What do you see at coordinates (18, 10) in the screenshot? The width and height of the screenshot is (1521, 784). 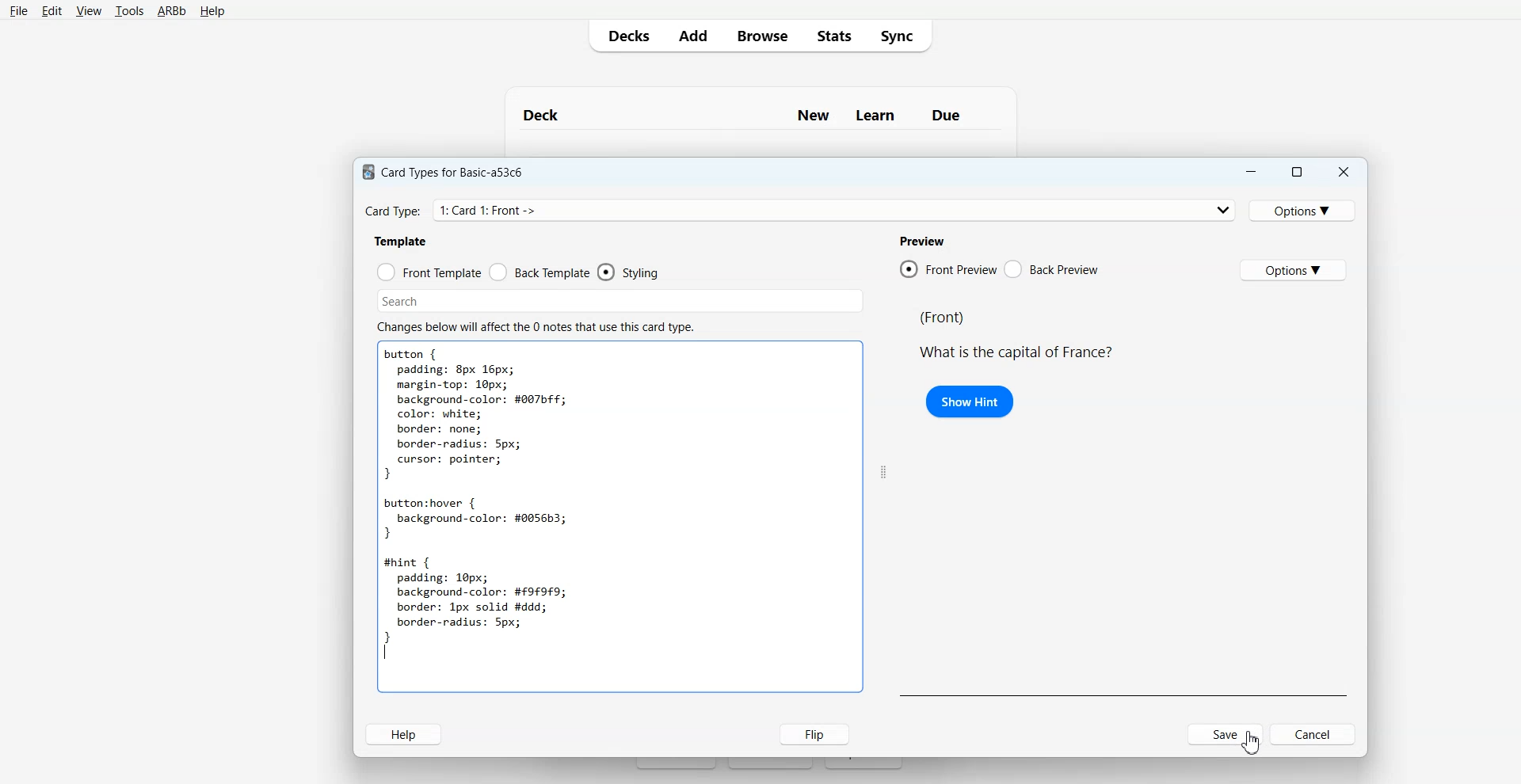 I see `File` at bounding box center [18, 10].